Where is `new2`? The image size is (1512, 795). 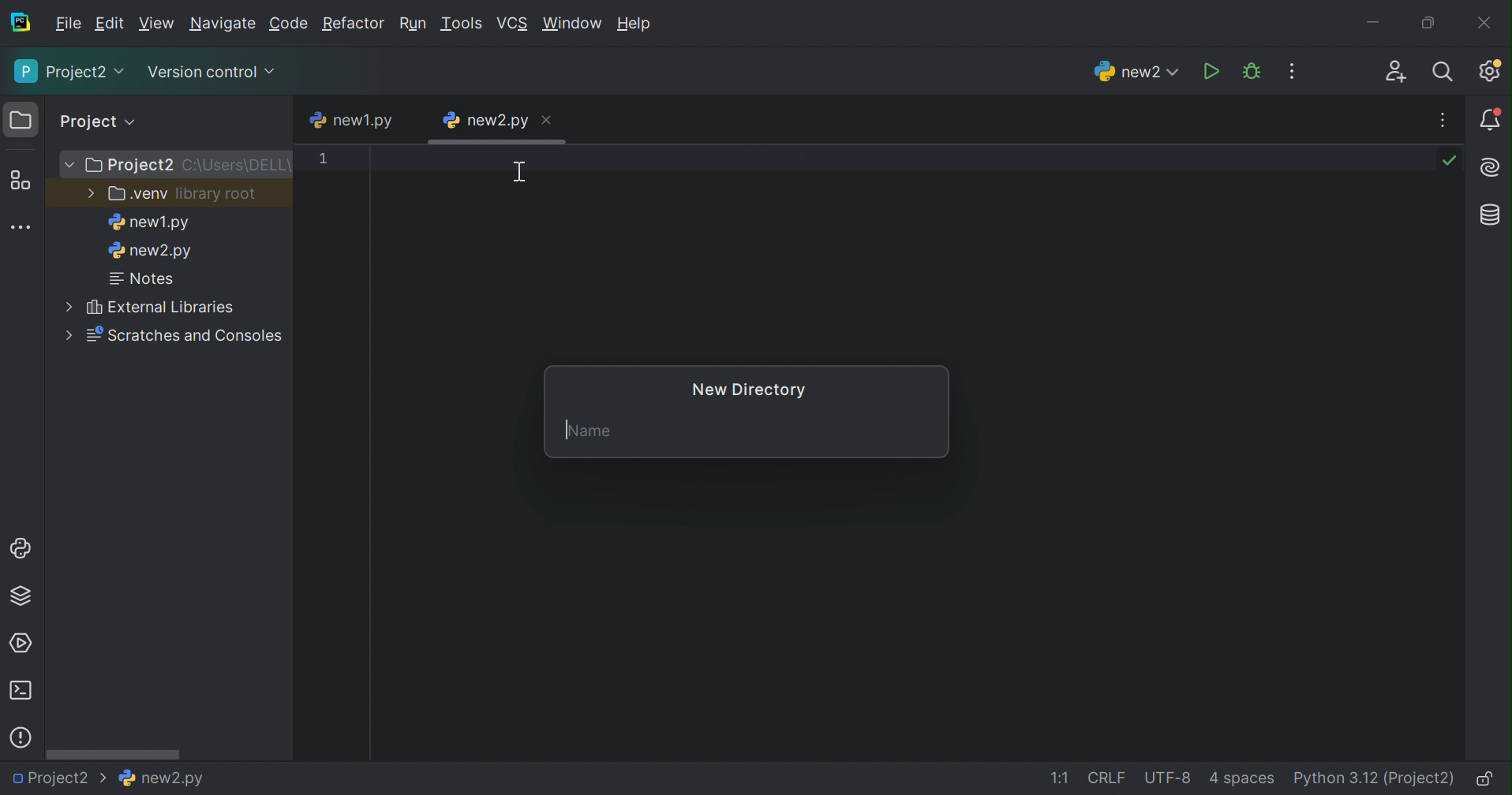 new2 is located at coordinates (1134, 72).